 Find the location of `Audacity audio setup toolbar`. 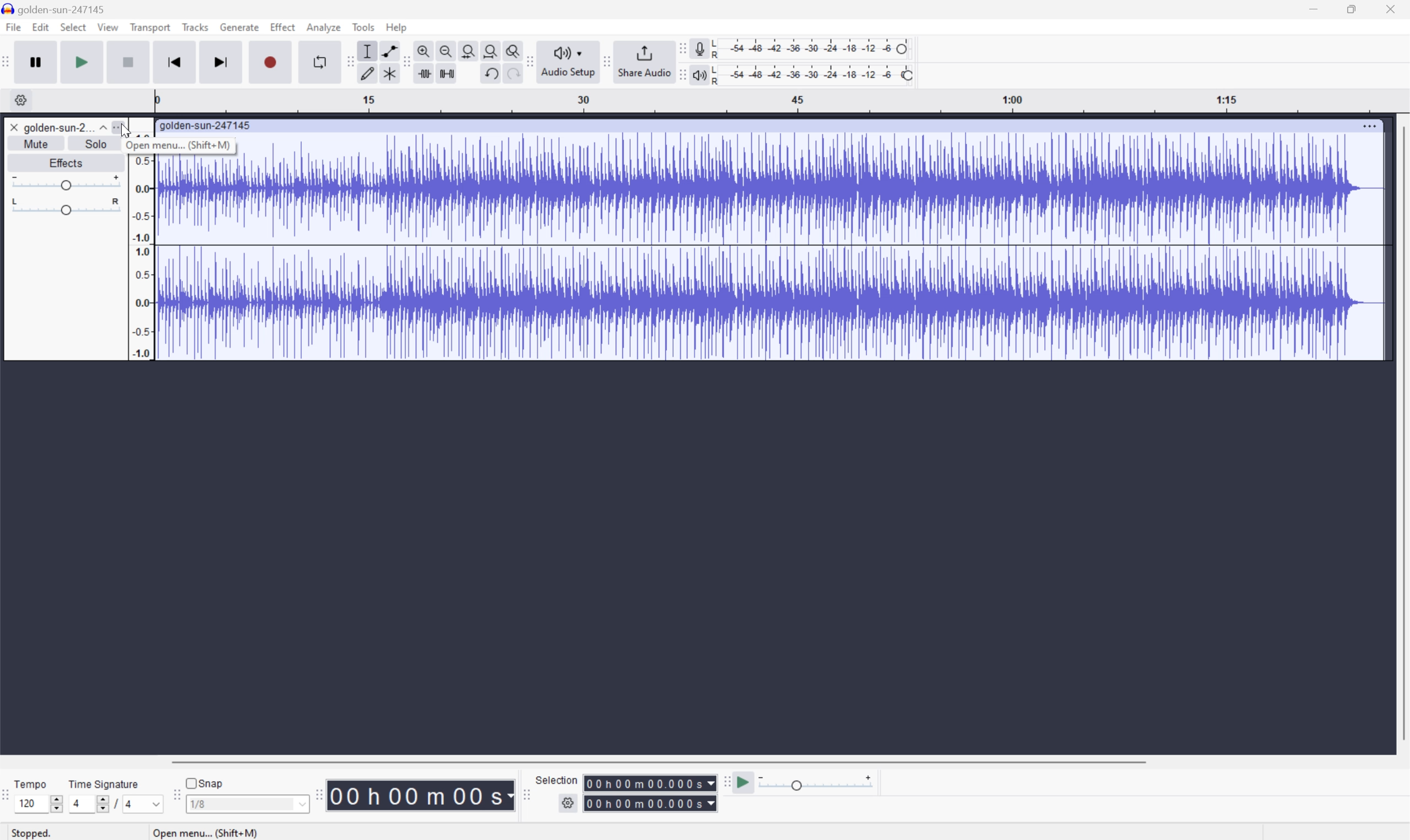

Audacity audio setup toolbar is located at coordinates (528, 61).